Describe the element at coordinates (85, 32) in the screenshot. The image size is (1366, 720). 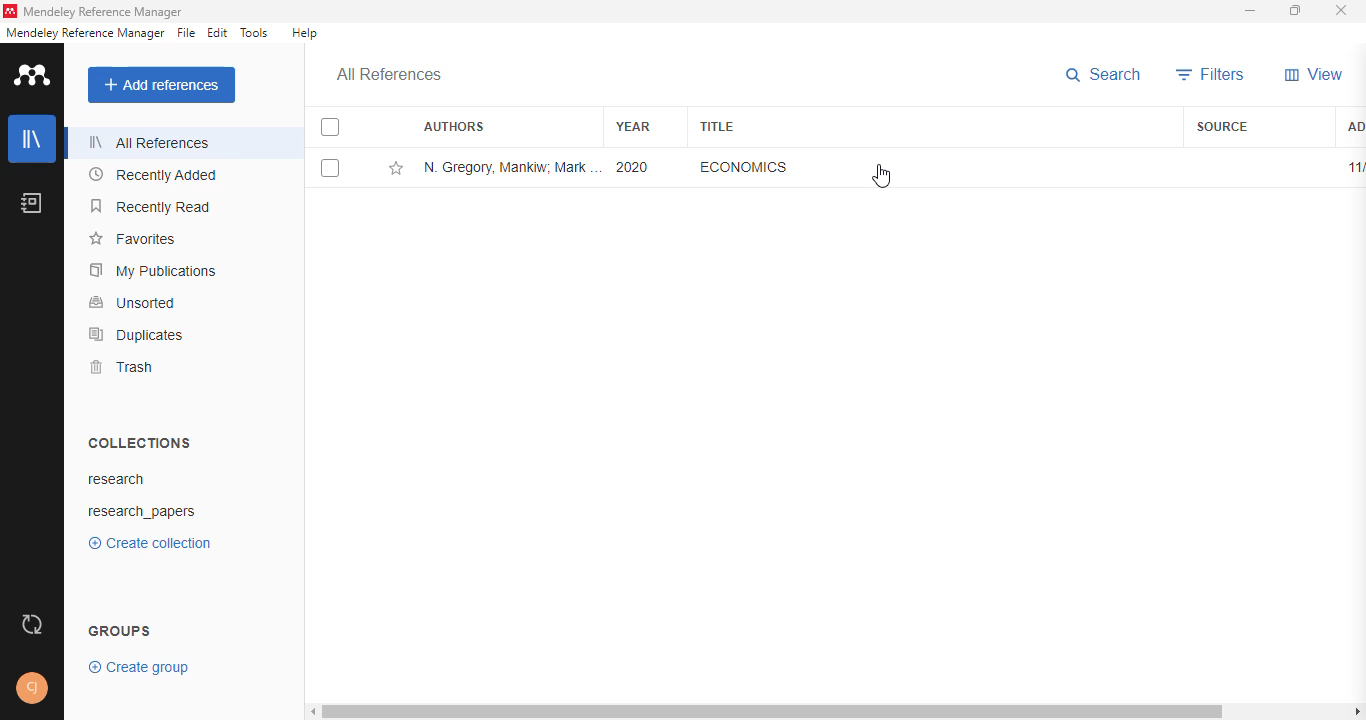
I see `mendeley reference manager` at that location.